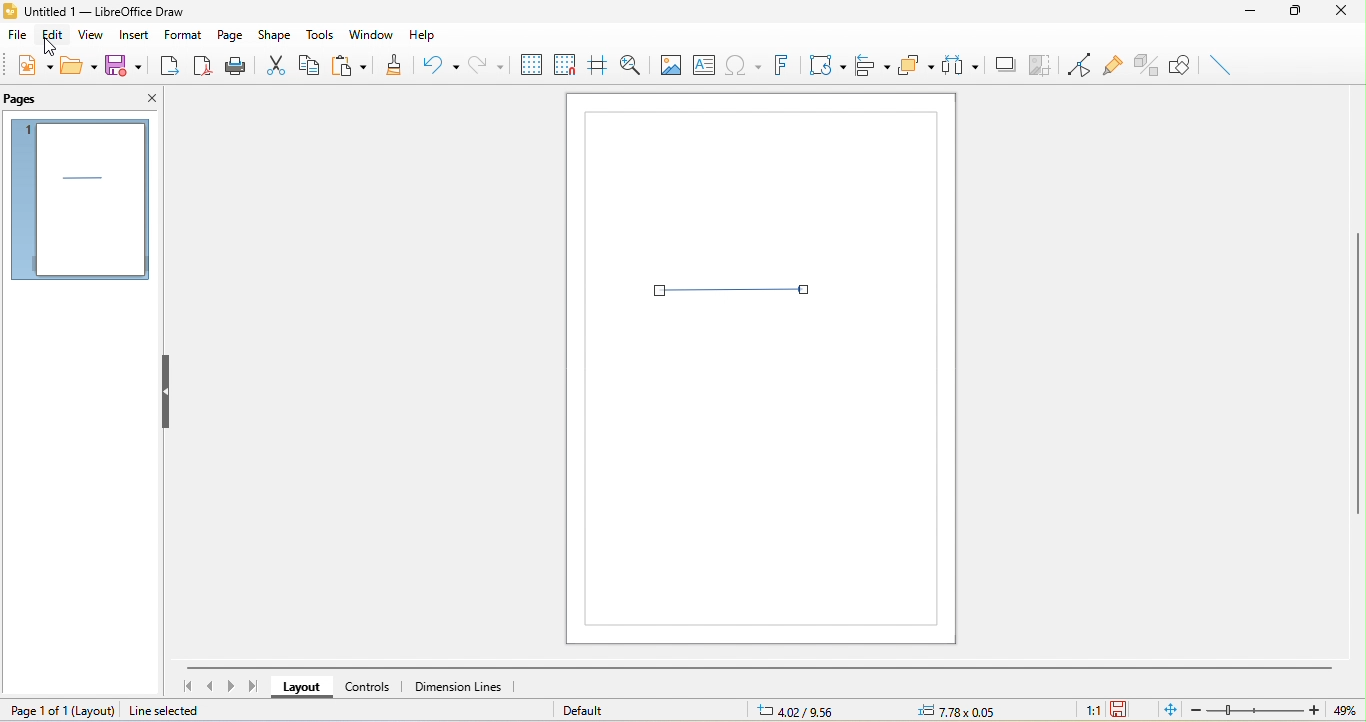 The width and height of the screenshot is (1366, 722). Describe the element at coordinates (733, 292) in the screenshot. I see `select arrow` at that location.